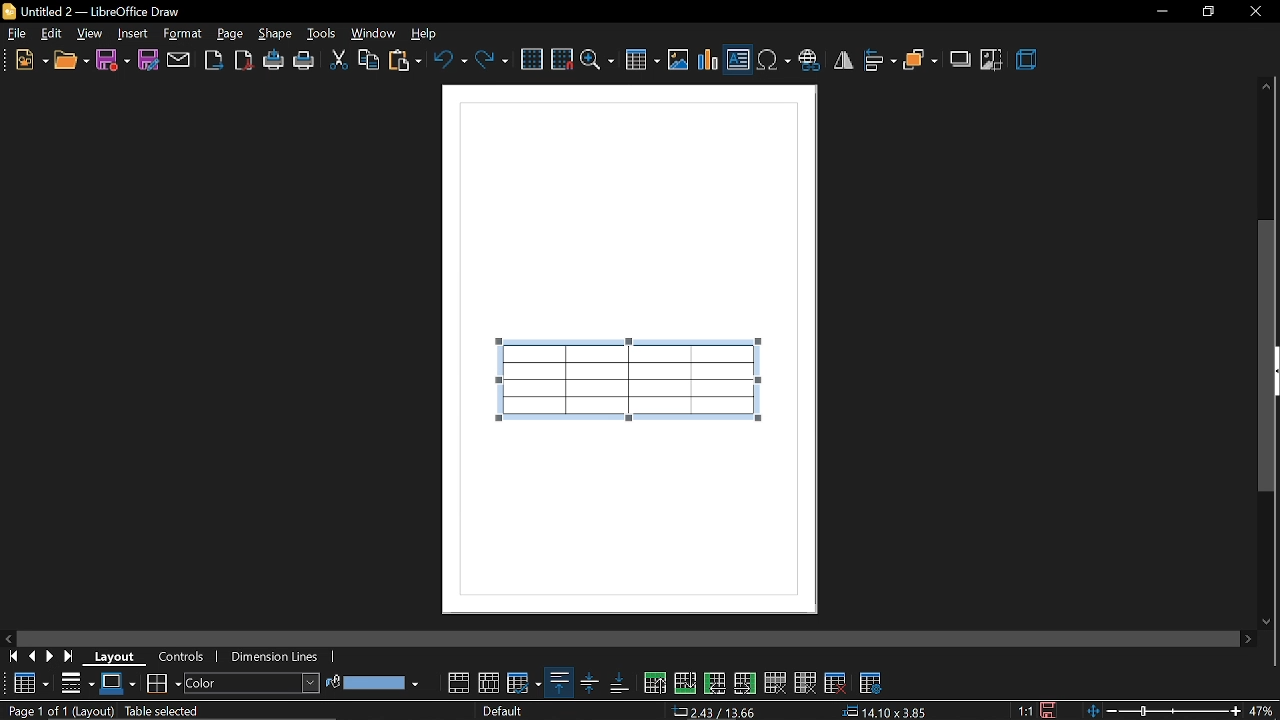  What do you see at coordinates (134, 34) in the screenshot?
I see `insert` at bounding box center [134, 34].